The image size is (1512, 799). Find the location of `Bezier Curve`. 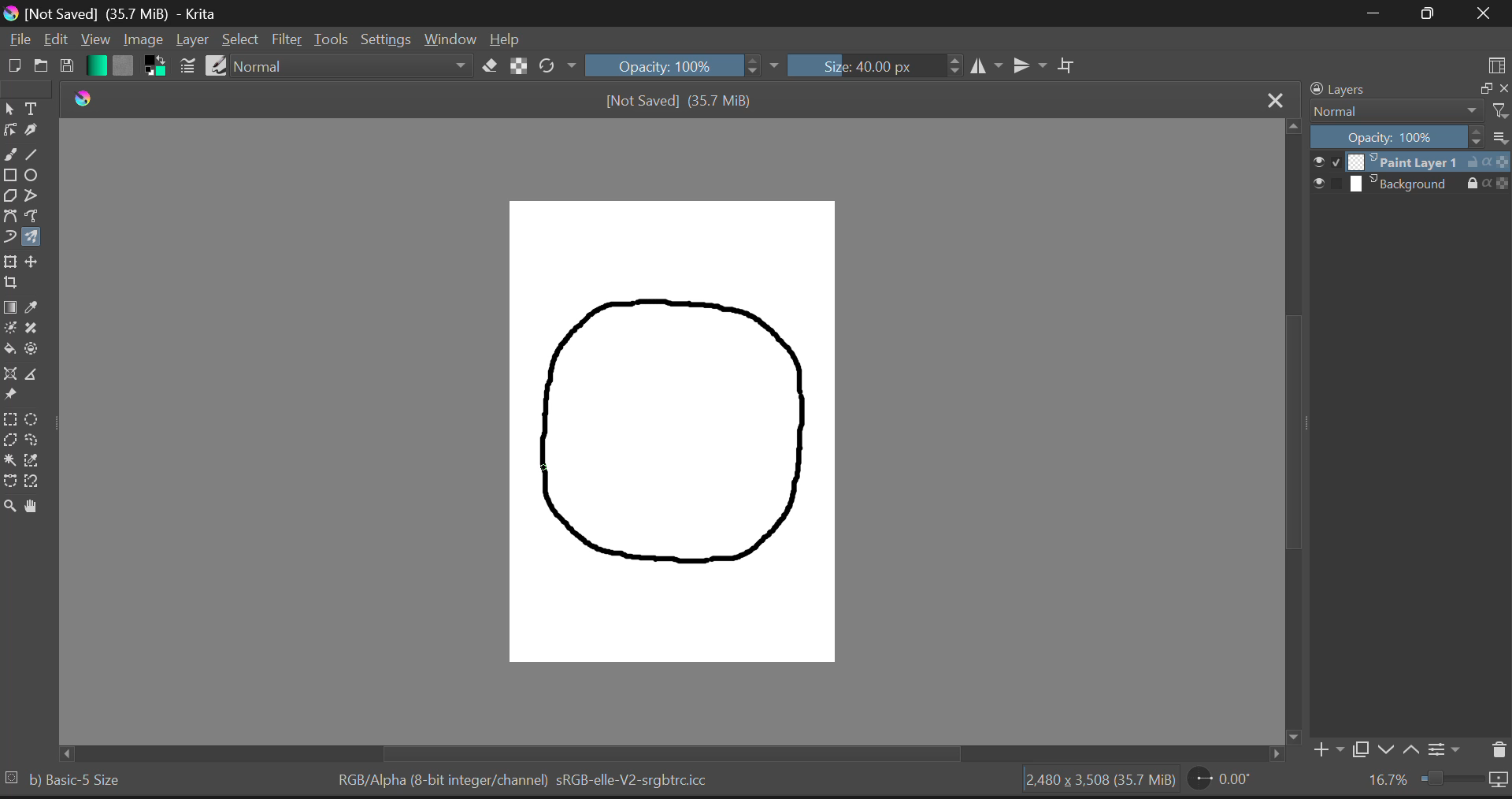

Bezier Curve is located at coordinates (10, 216).